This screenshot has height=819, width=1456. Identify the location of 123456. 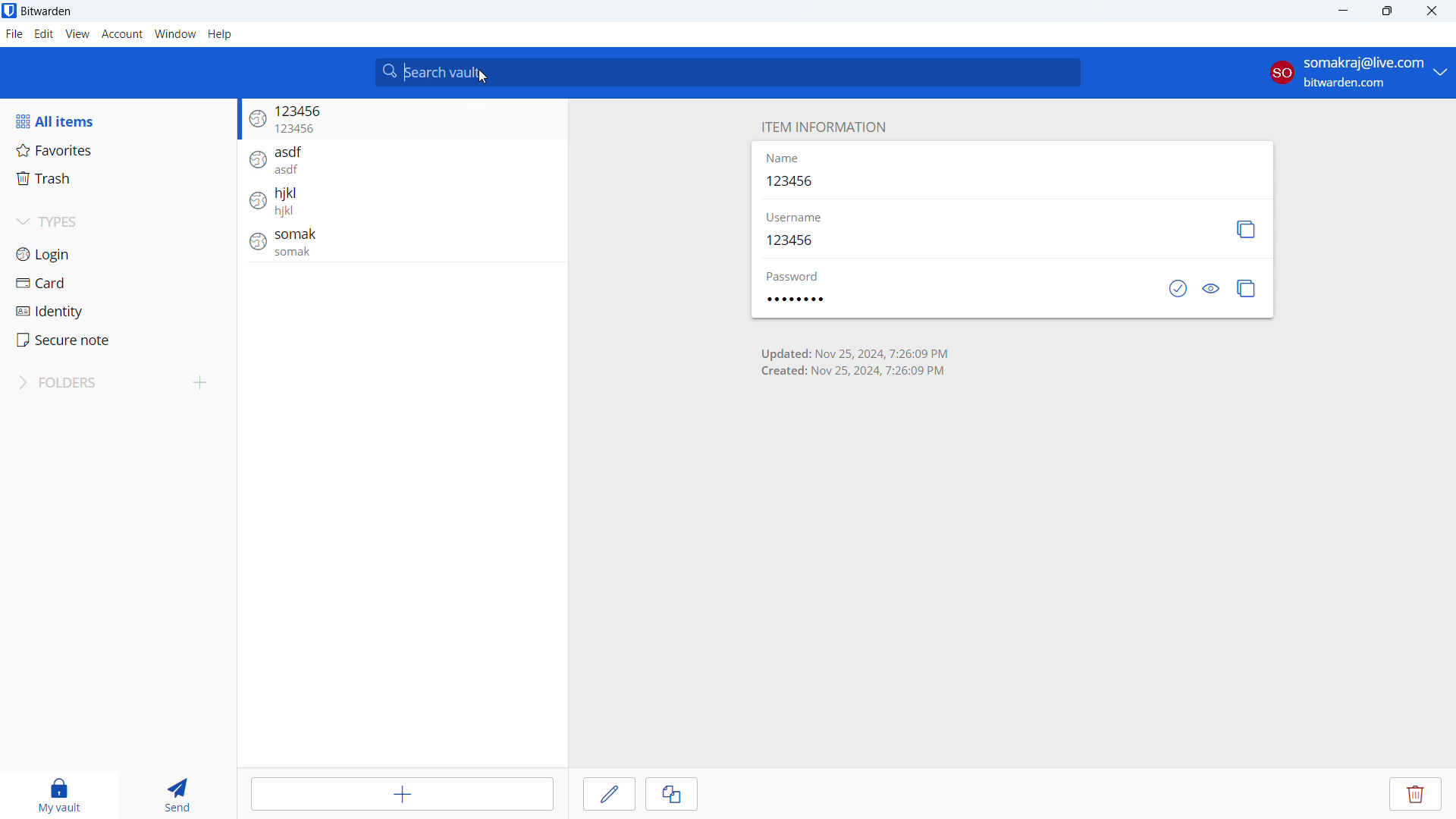
(795, 182).